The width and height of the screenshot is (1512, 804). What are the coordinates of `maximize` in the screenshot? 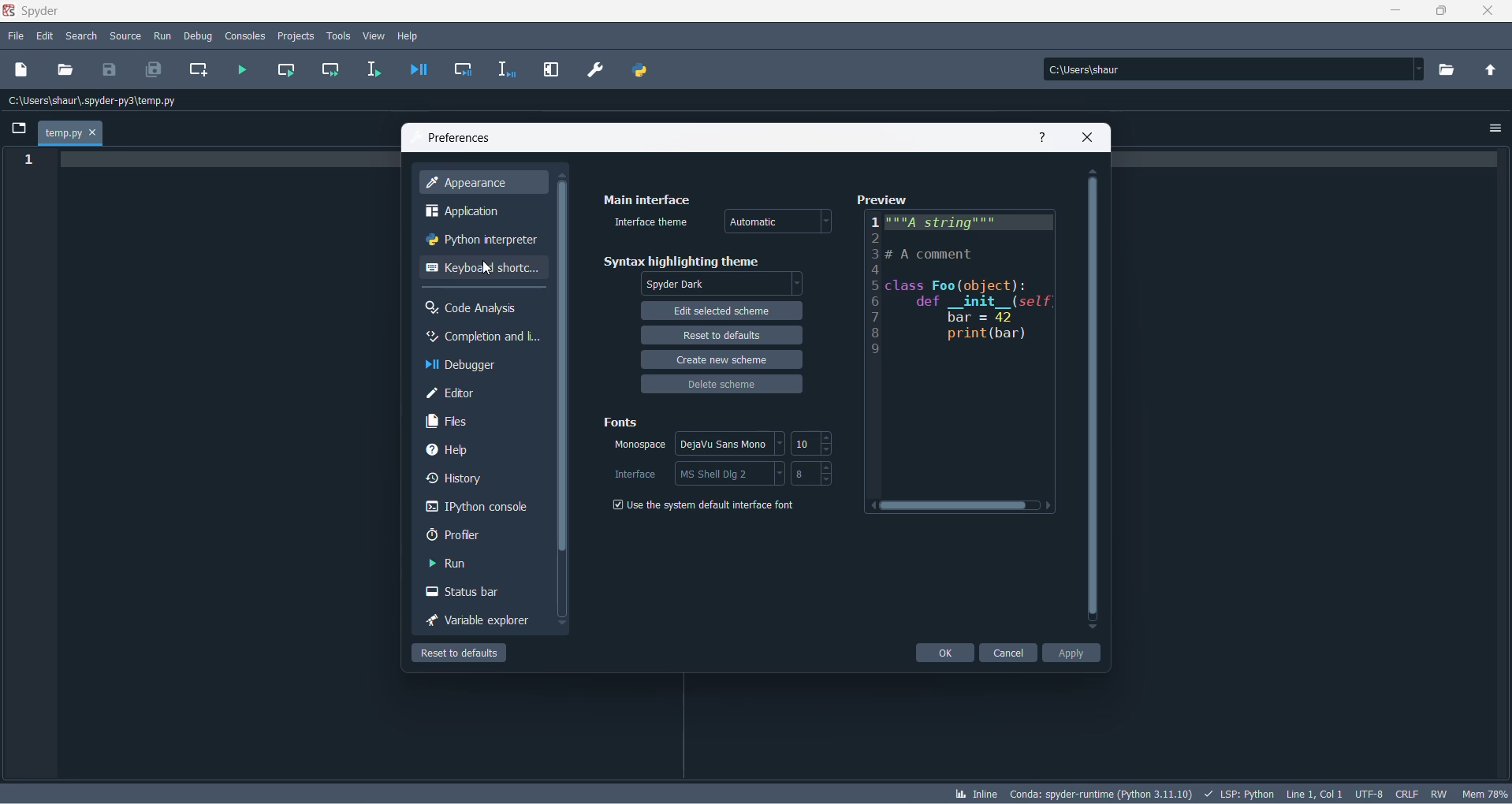 It's located at (1443, 12).